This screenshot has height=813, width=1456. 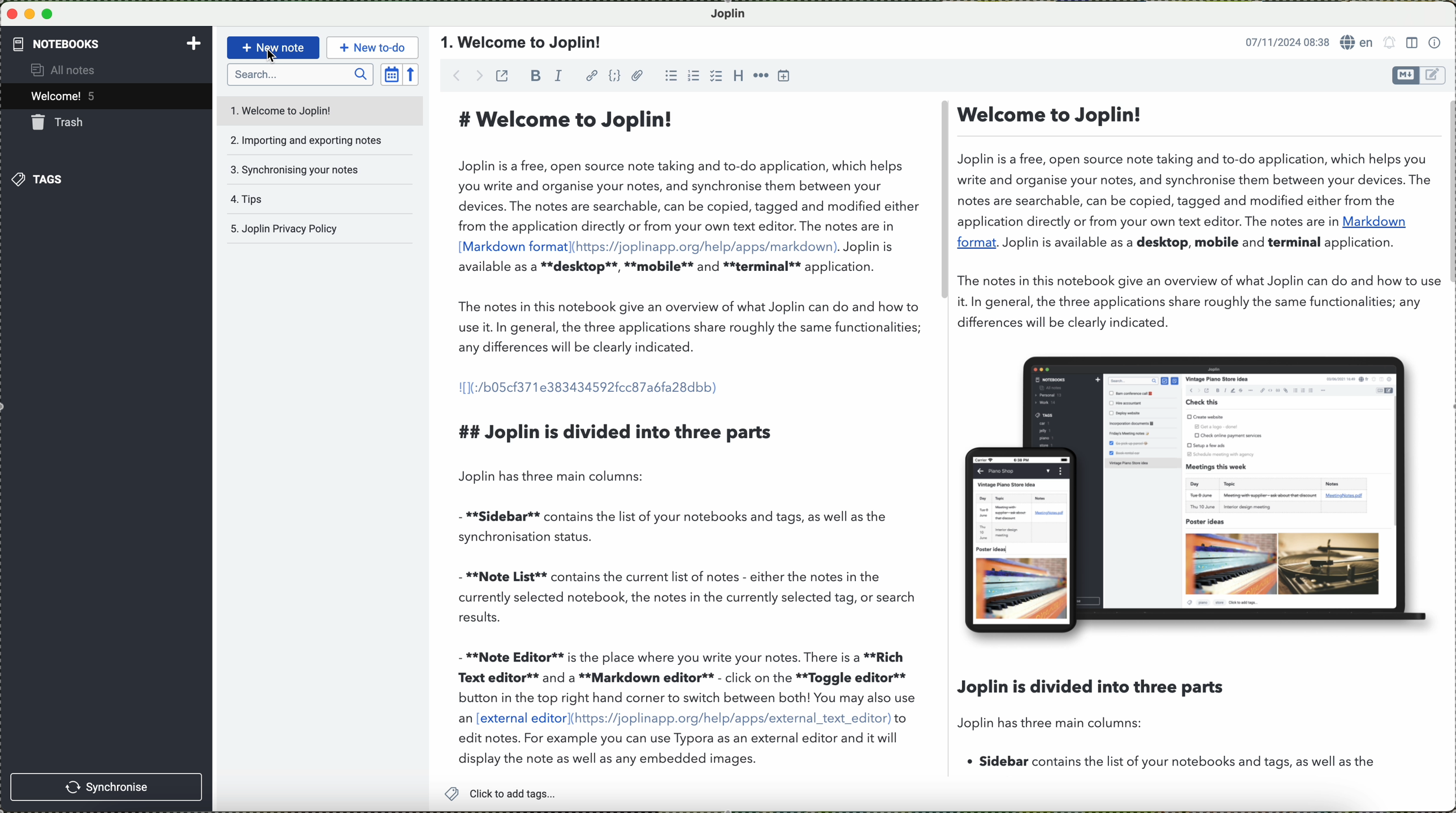 I want to click on attach file, so click(x=638, y=75).